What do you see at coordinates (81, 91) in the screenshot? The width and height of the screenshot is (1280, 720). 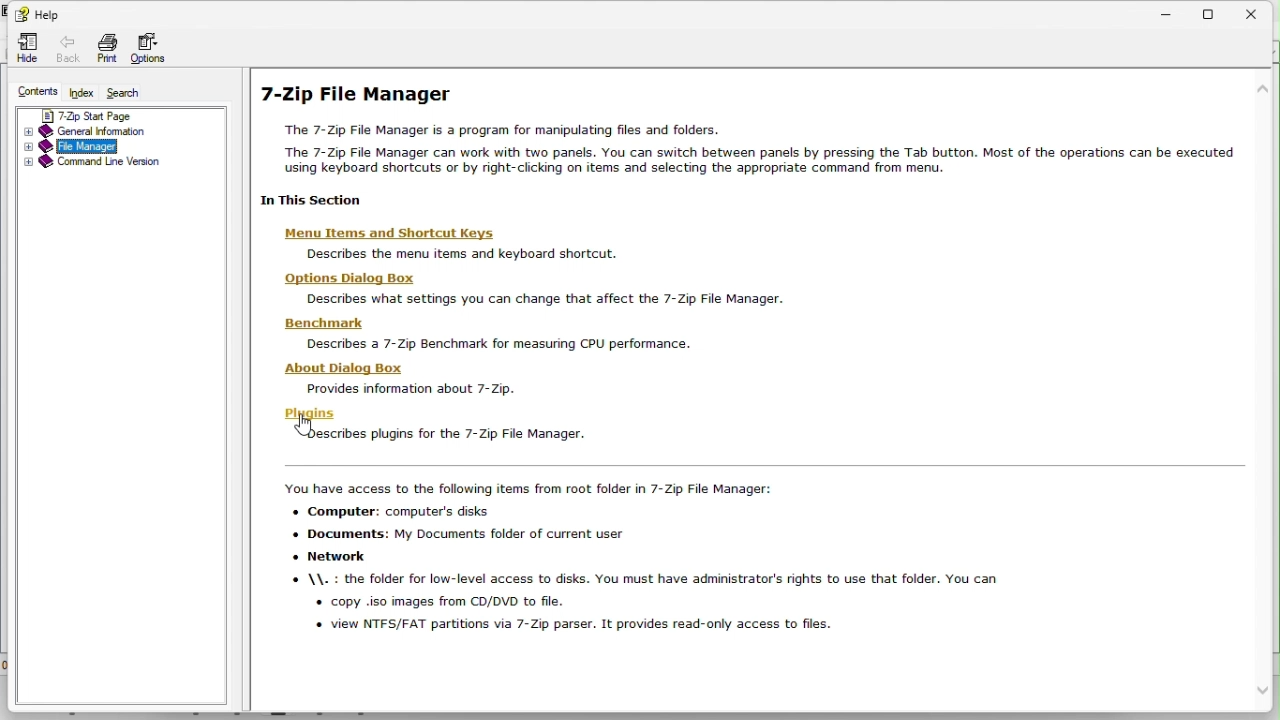 I see `Index` at bounding box center [81, 91].